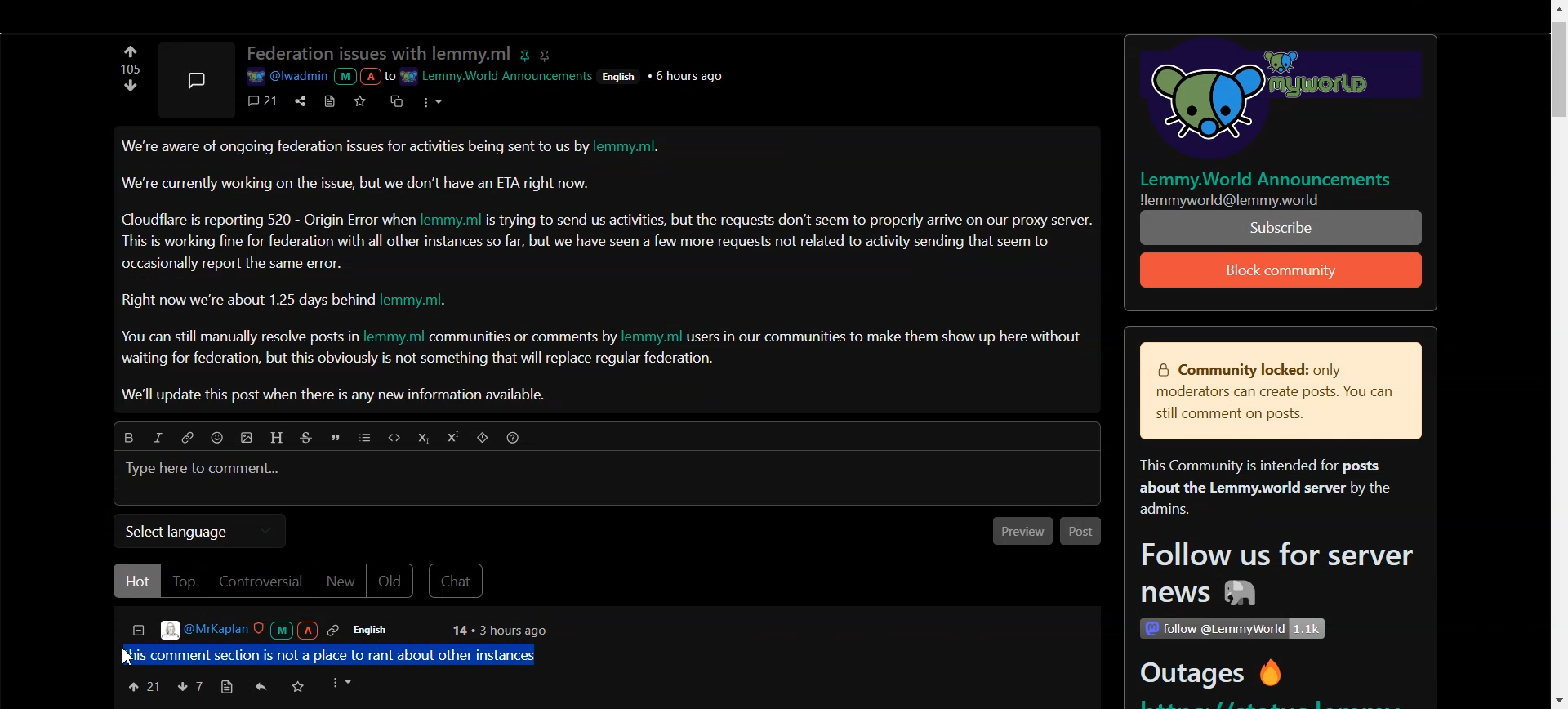 Image resolution: width=1568 pixels, height=709 pixels. Describe the element at coordinates (653, 337) in the screenshot. I see `lemmy.ml` at that location.